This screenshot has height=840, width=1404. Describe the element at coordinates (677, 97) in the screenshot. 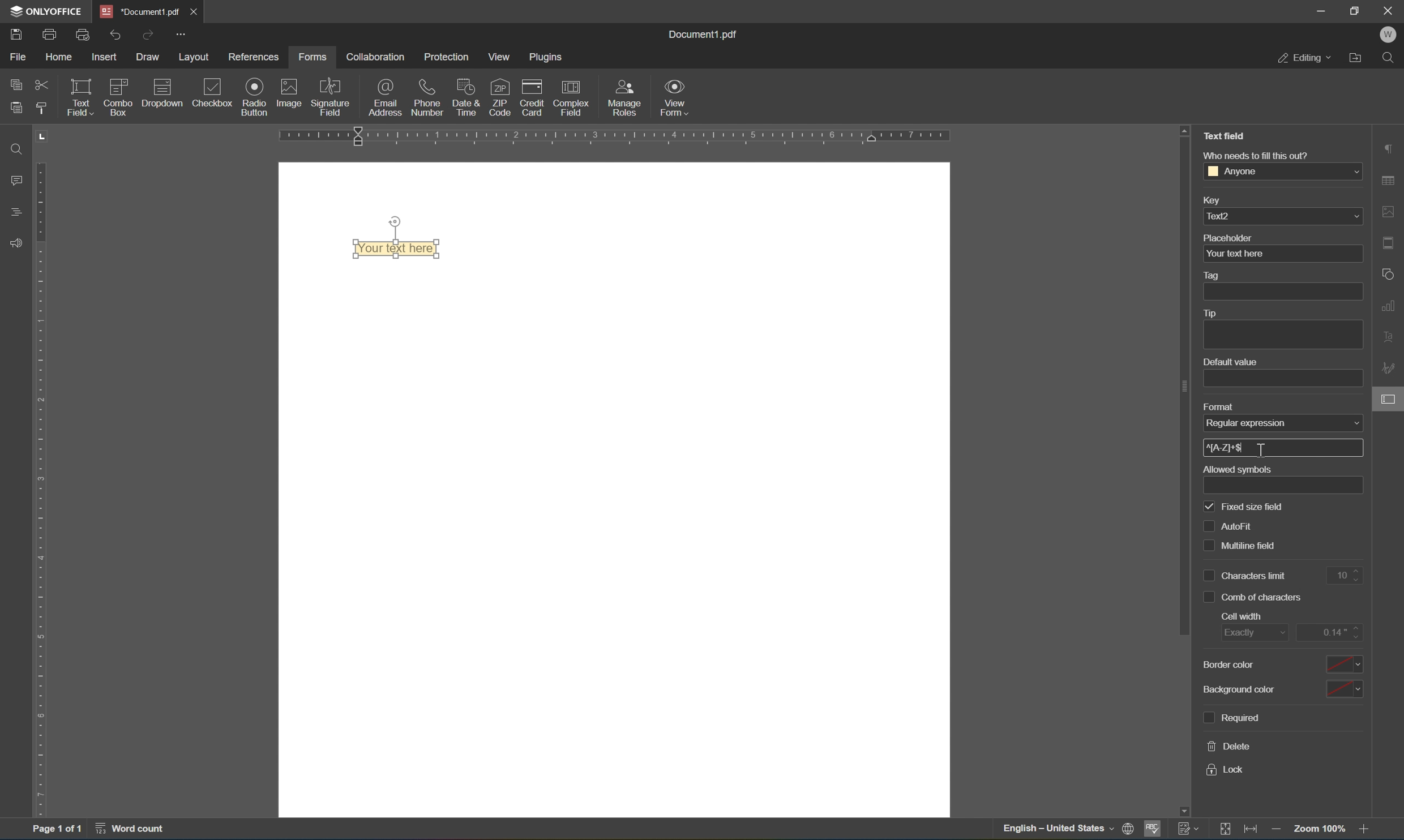

I see `view form` at that location.